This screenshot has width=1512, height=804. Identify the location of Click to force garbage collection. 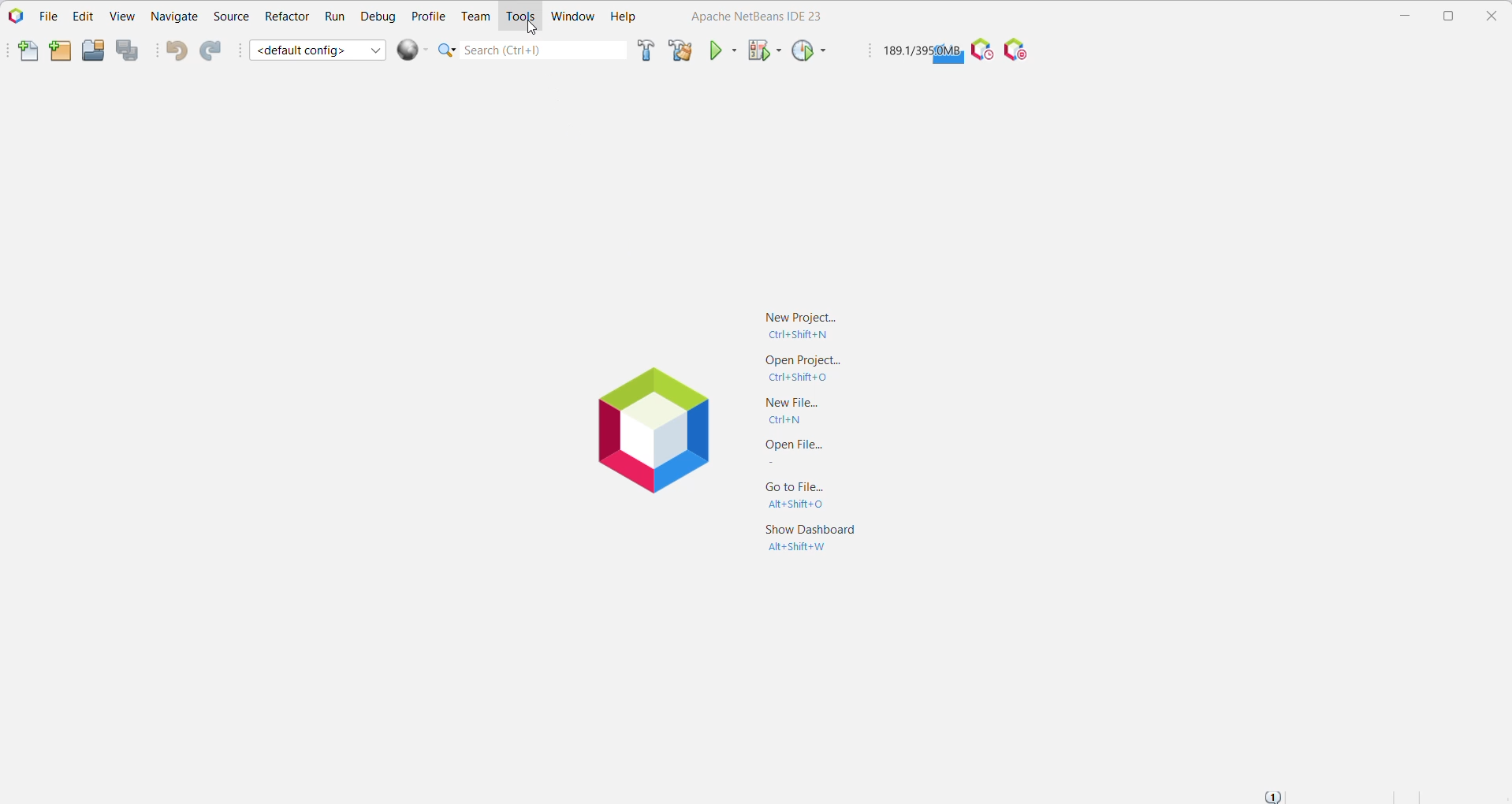
(921, 51).